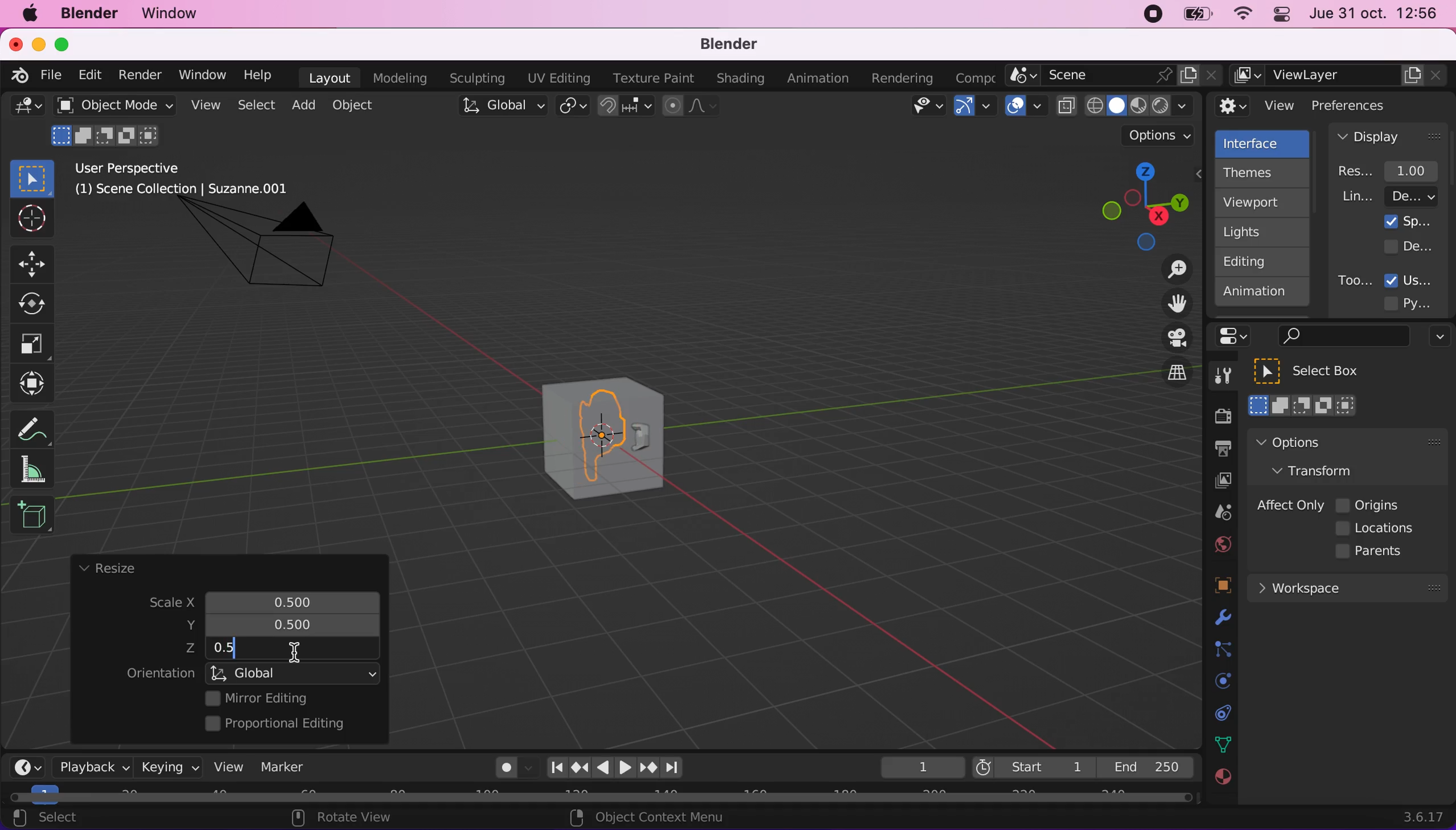 Image resolution: width=1456 pixels, height=830 pixels. Describe the element at coordinates (329, 78) in the screenshot. I see `layout` at that location.